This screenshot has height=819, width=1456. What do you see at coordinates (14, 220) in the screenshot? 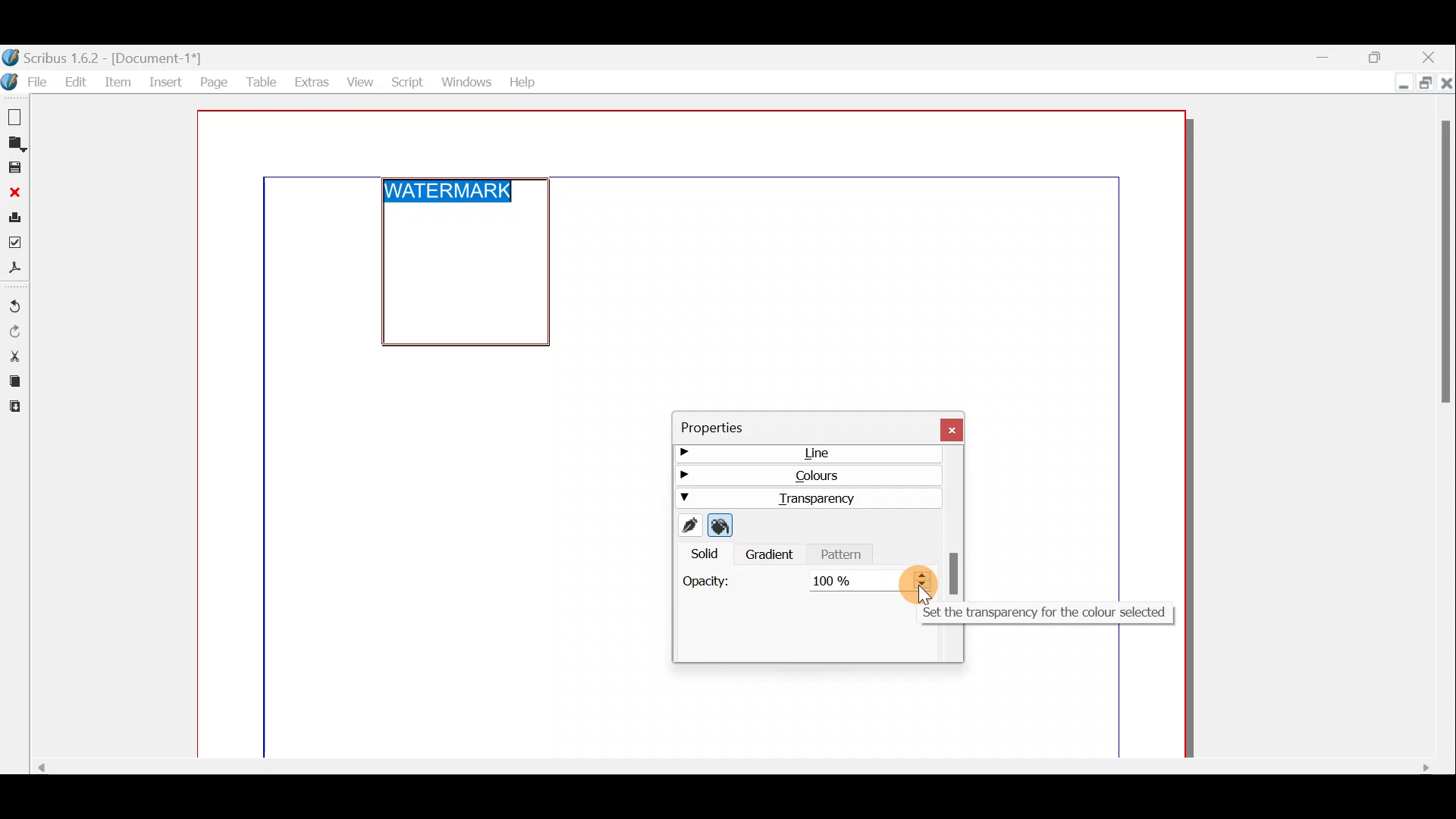
I see `Print` at bounding box center [14, 220].